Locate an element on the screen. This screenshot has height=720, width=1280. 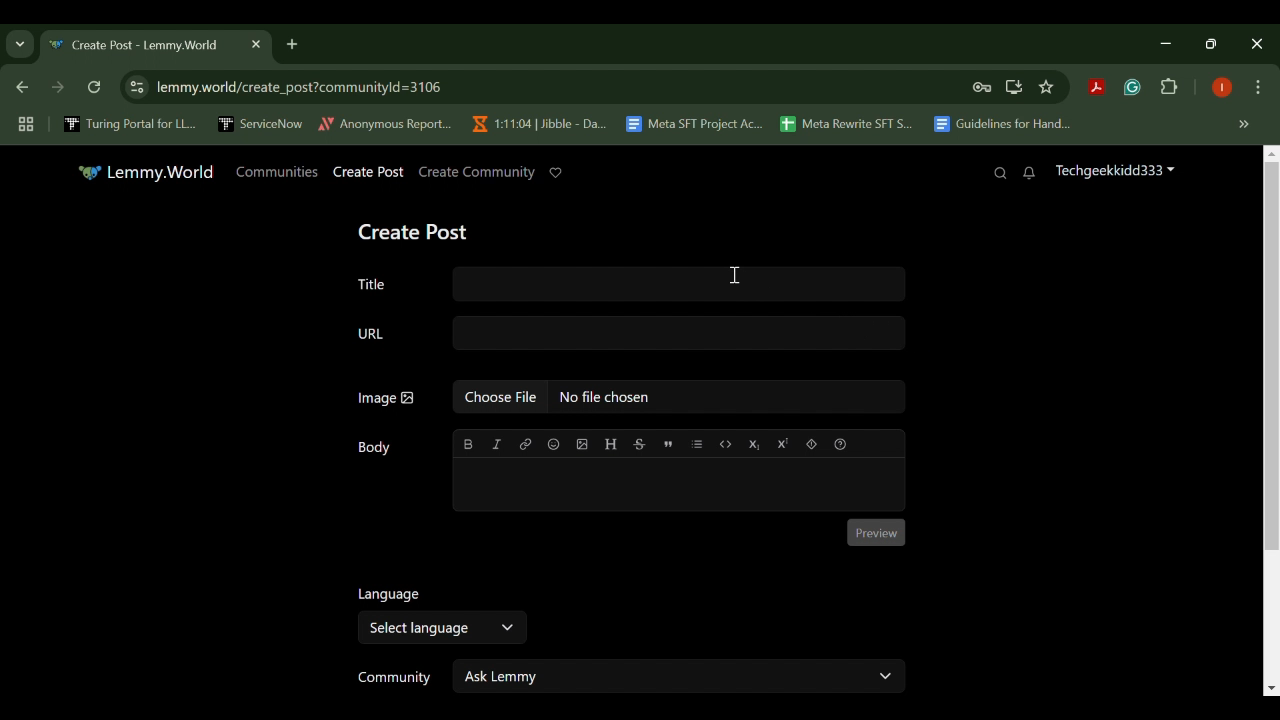
Grammarly Extension is located at coordinates (1130, 88).